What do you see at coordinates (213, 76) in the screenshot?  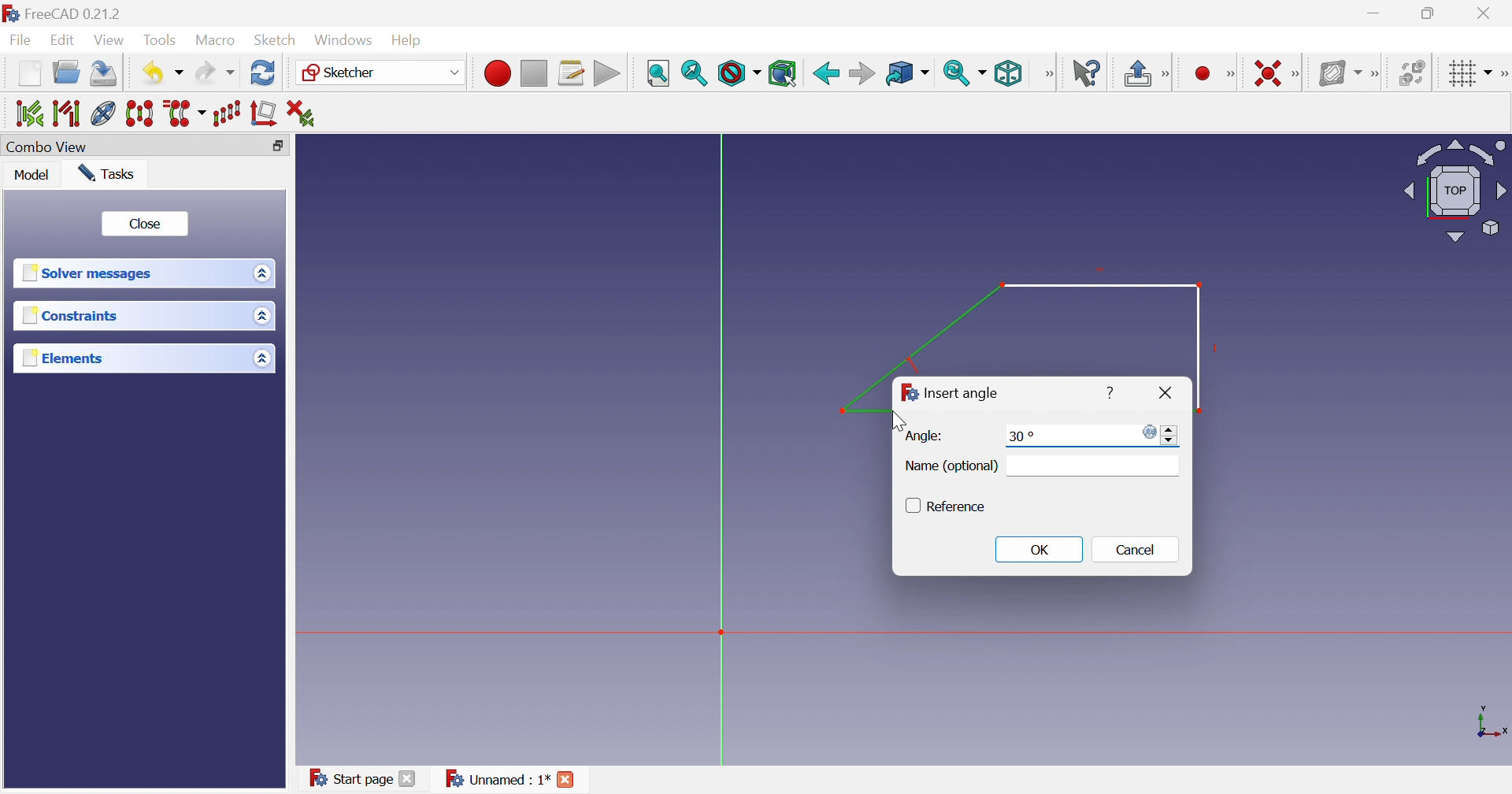 I see `Redo` at bounding box center [213, 76].